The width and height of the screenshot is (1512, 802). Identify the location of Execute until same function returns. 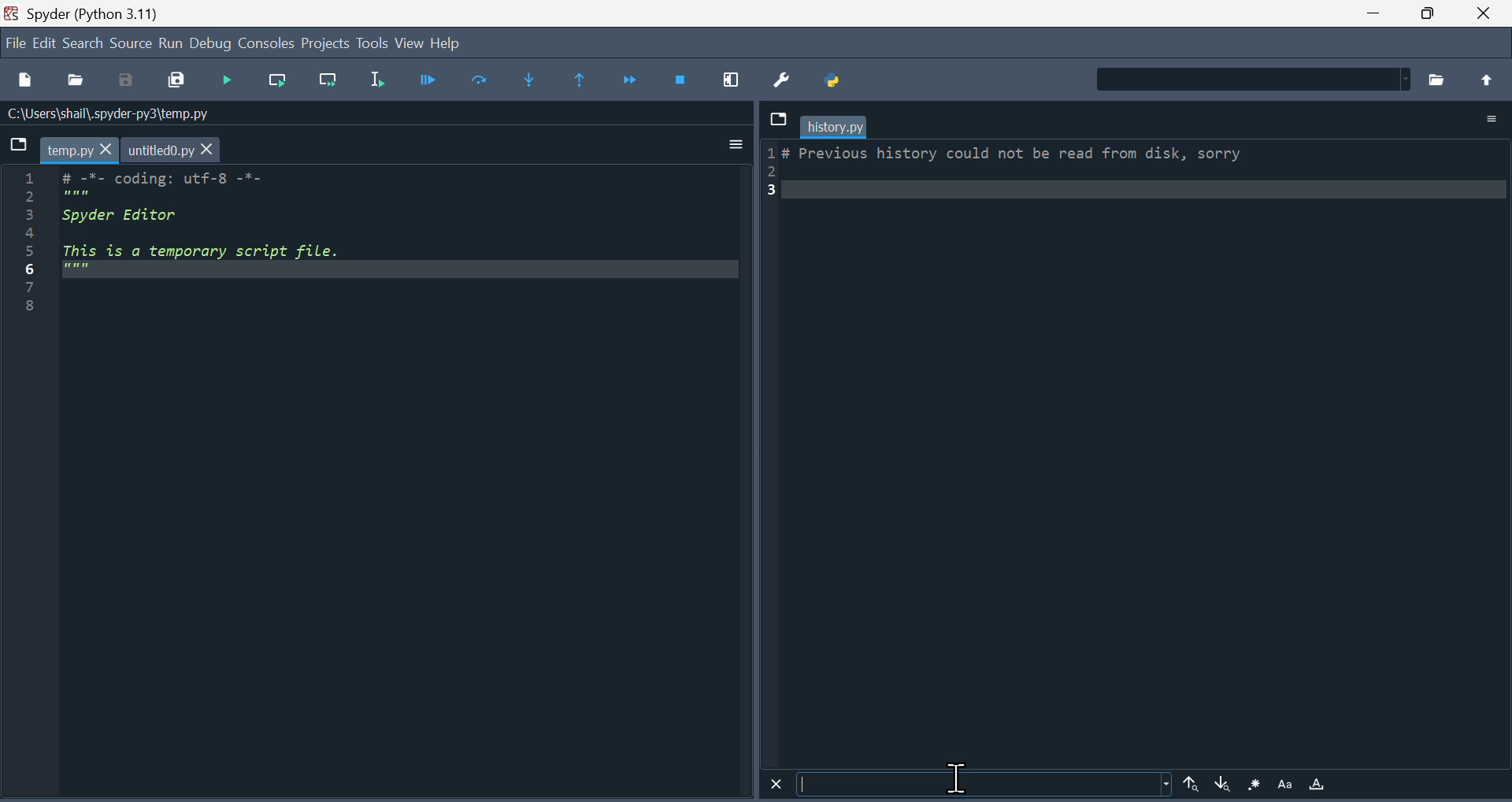
(580, 78).